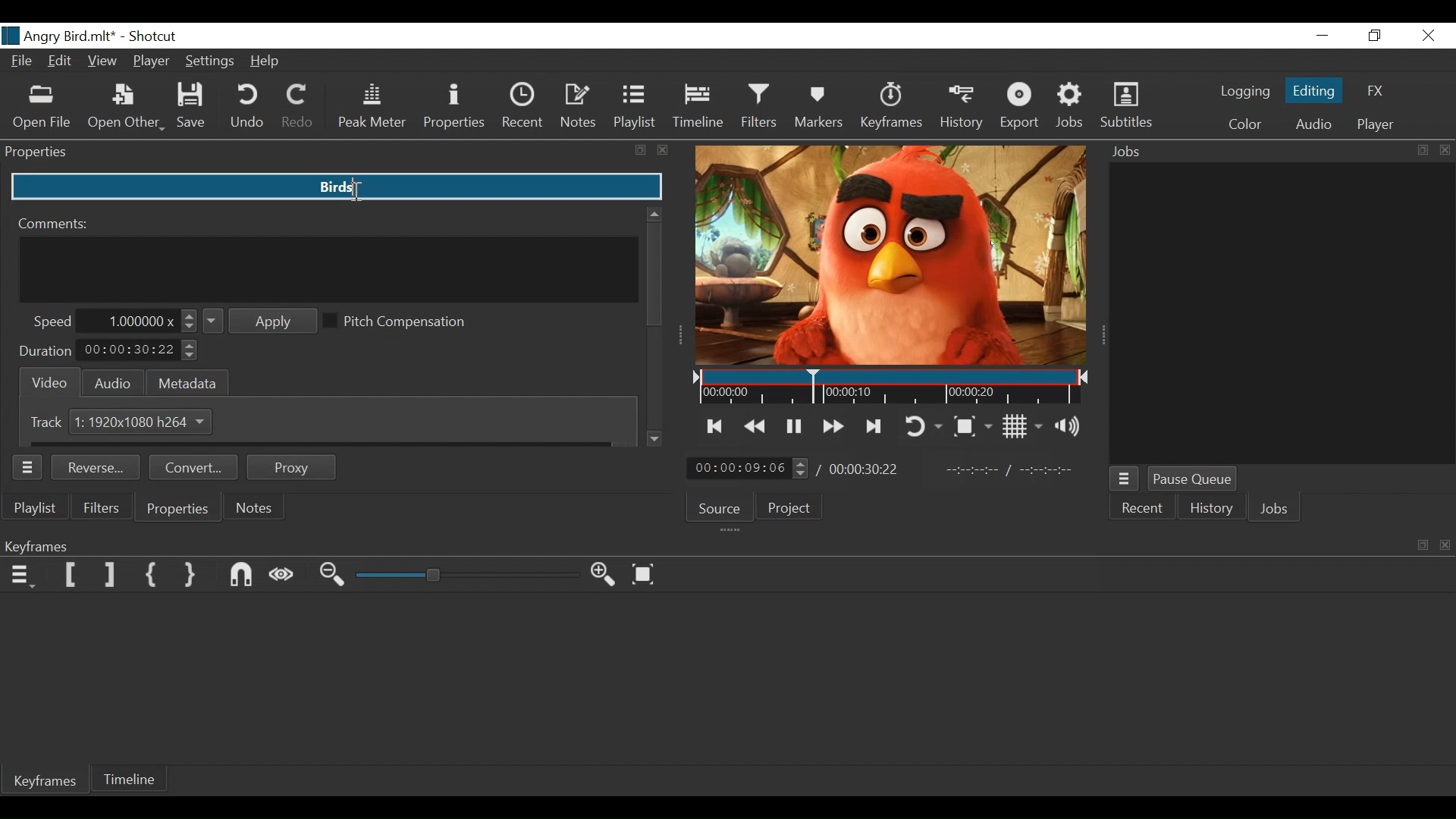 This screenshot has width=1456, height=819. I want to click on Duration, so click(45, 351).